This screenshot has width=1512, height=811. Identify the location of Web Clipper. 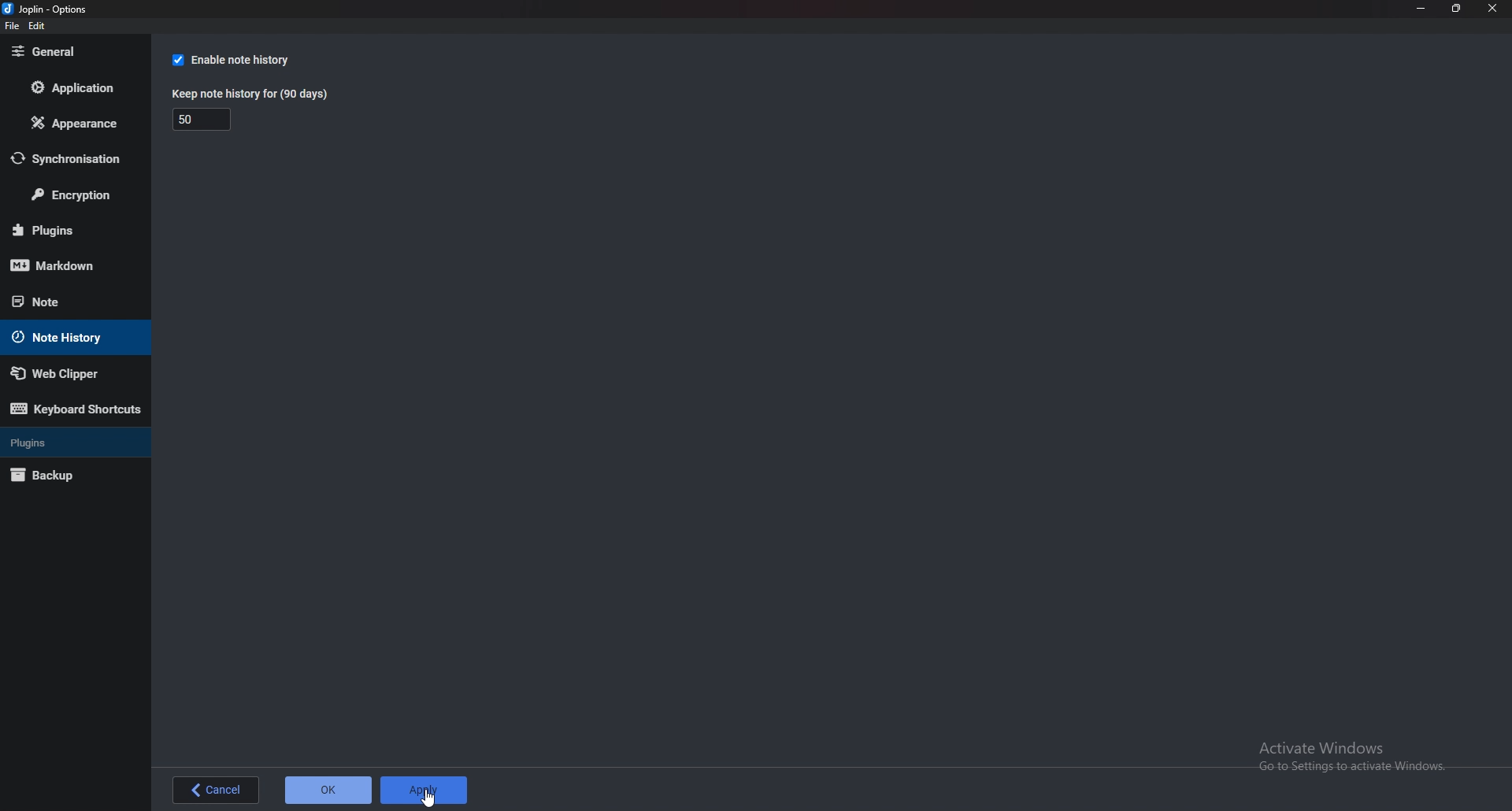
(68, 373).